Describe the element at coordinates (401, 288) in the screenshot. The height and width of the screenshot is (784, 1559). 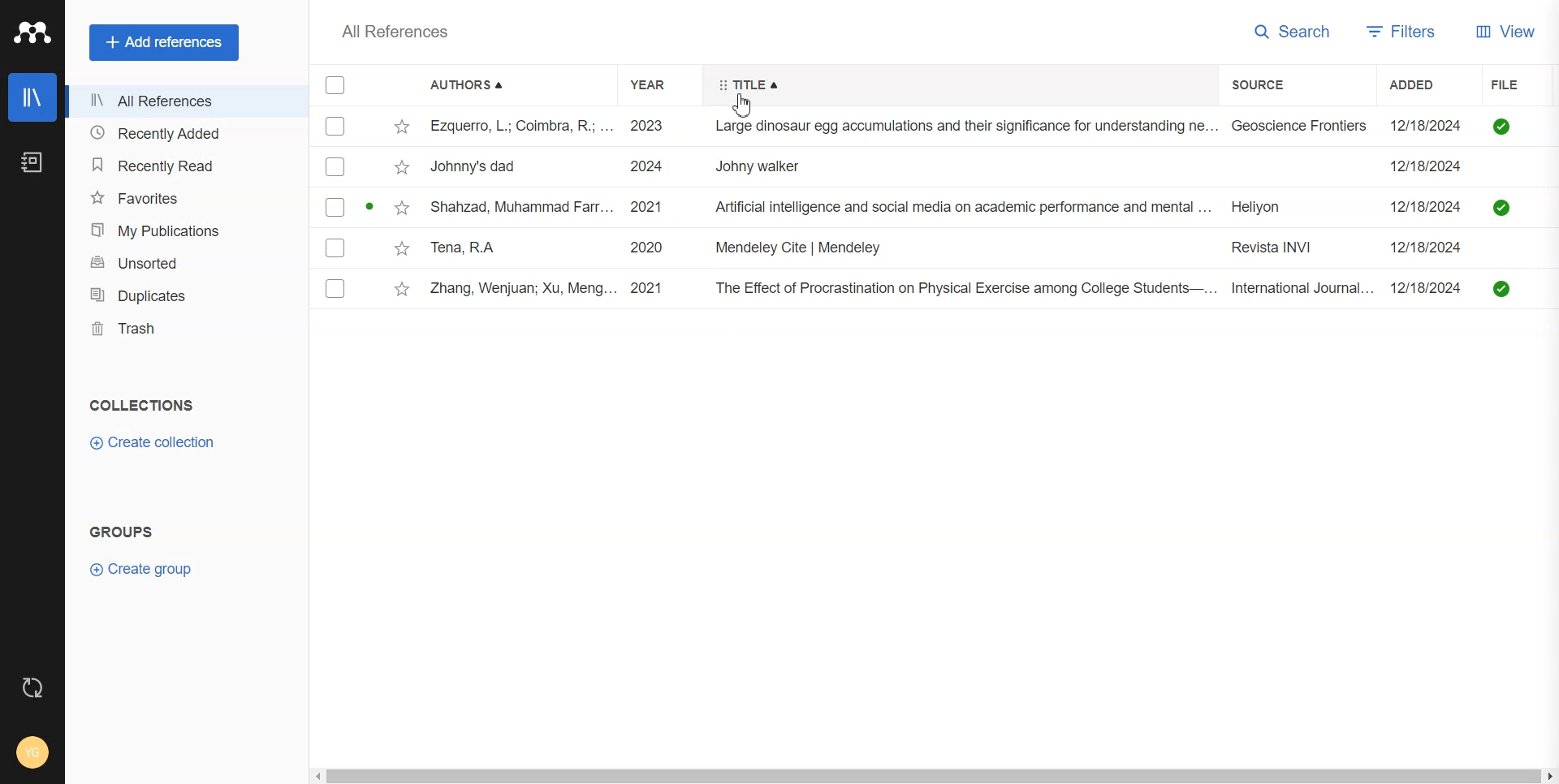
I see `mark as star` at that location.